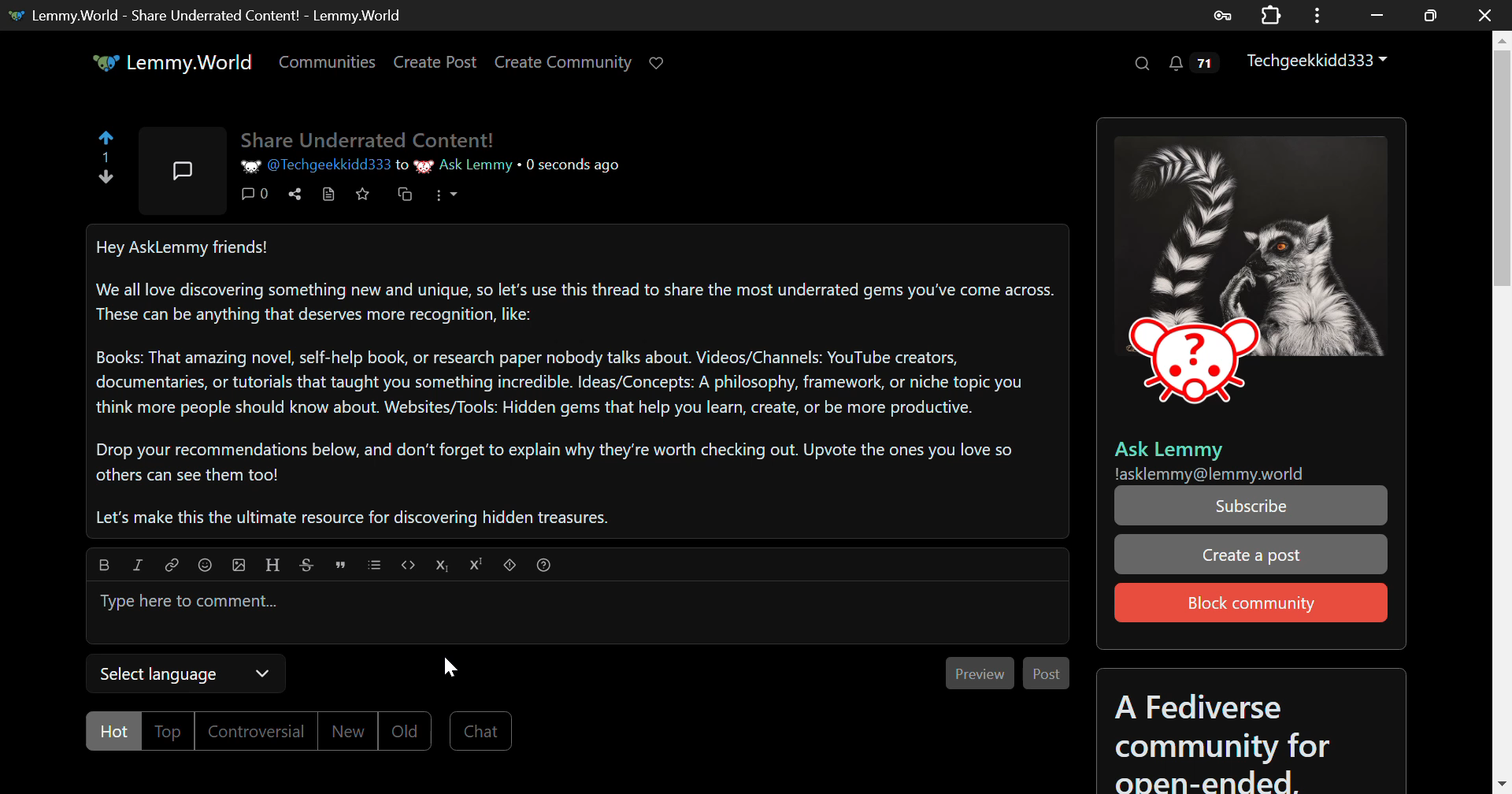 The image size is (1512, 794). I want to click on Link, so click(172, 566).